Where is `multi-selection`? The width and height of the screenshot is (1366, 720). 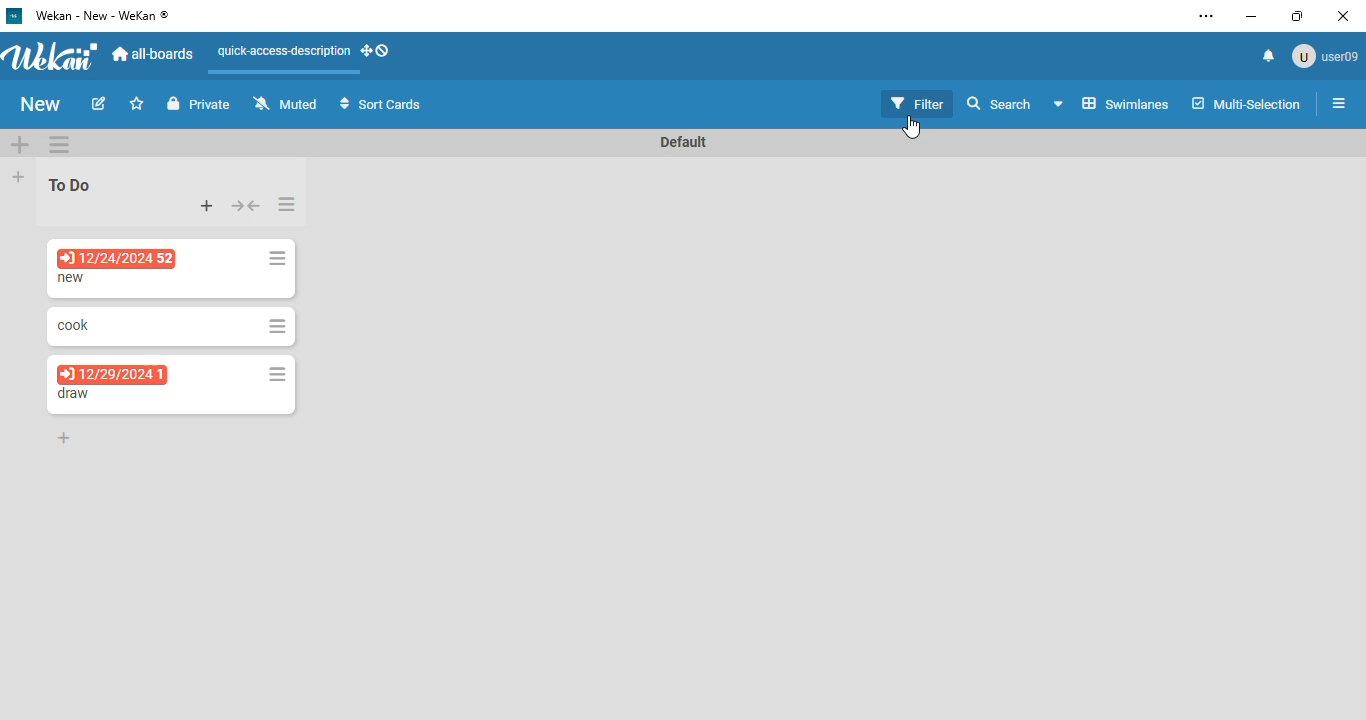
multi-selection is located at coordinates (1246, 103).